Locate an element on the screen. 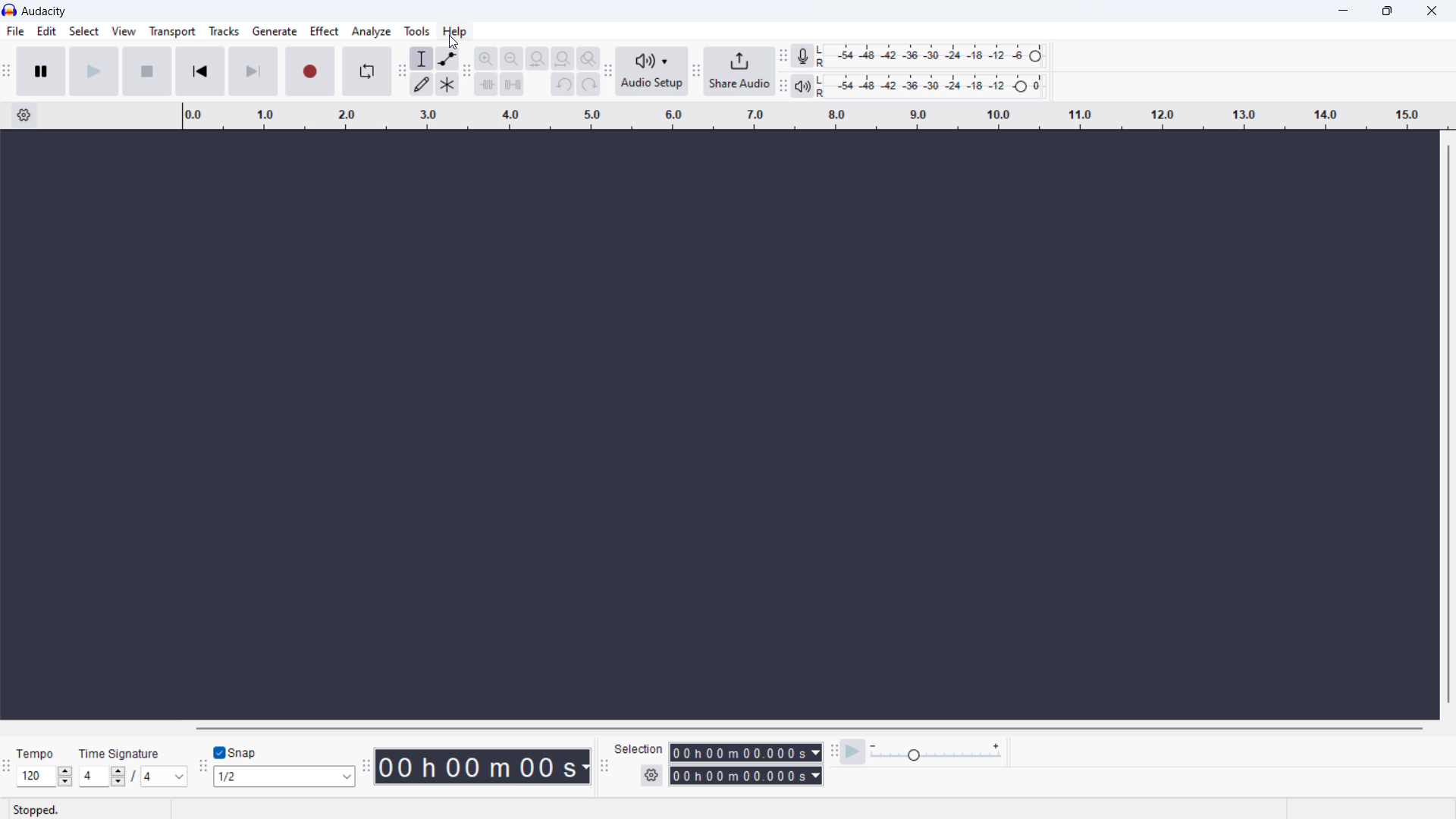  timeline is located at coordinates (816, 117).